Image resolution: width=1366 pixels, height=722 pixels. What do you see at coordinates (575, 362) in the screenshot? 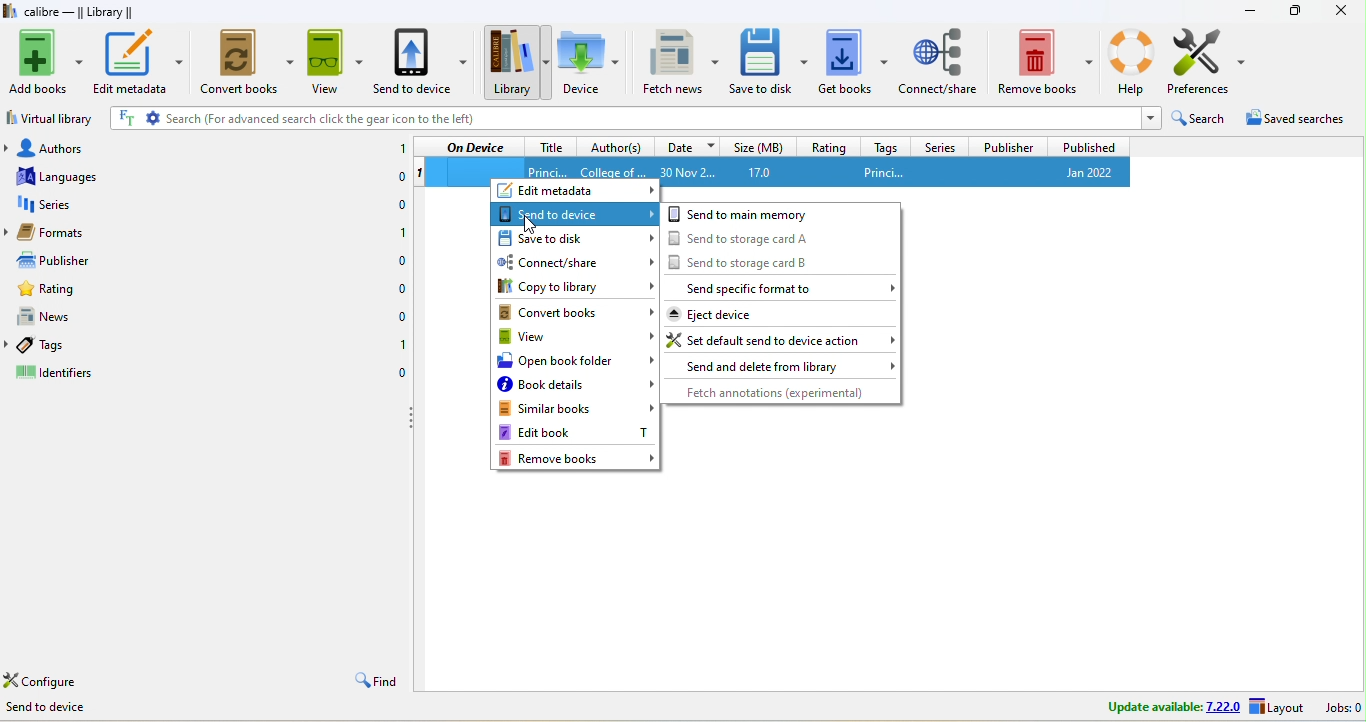
I see `open book folder` at bounding box center [575, 362].